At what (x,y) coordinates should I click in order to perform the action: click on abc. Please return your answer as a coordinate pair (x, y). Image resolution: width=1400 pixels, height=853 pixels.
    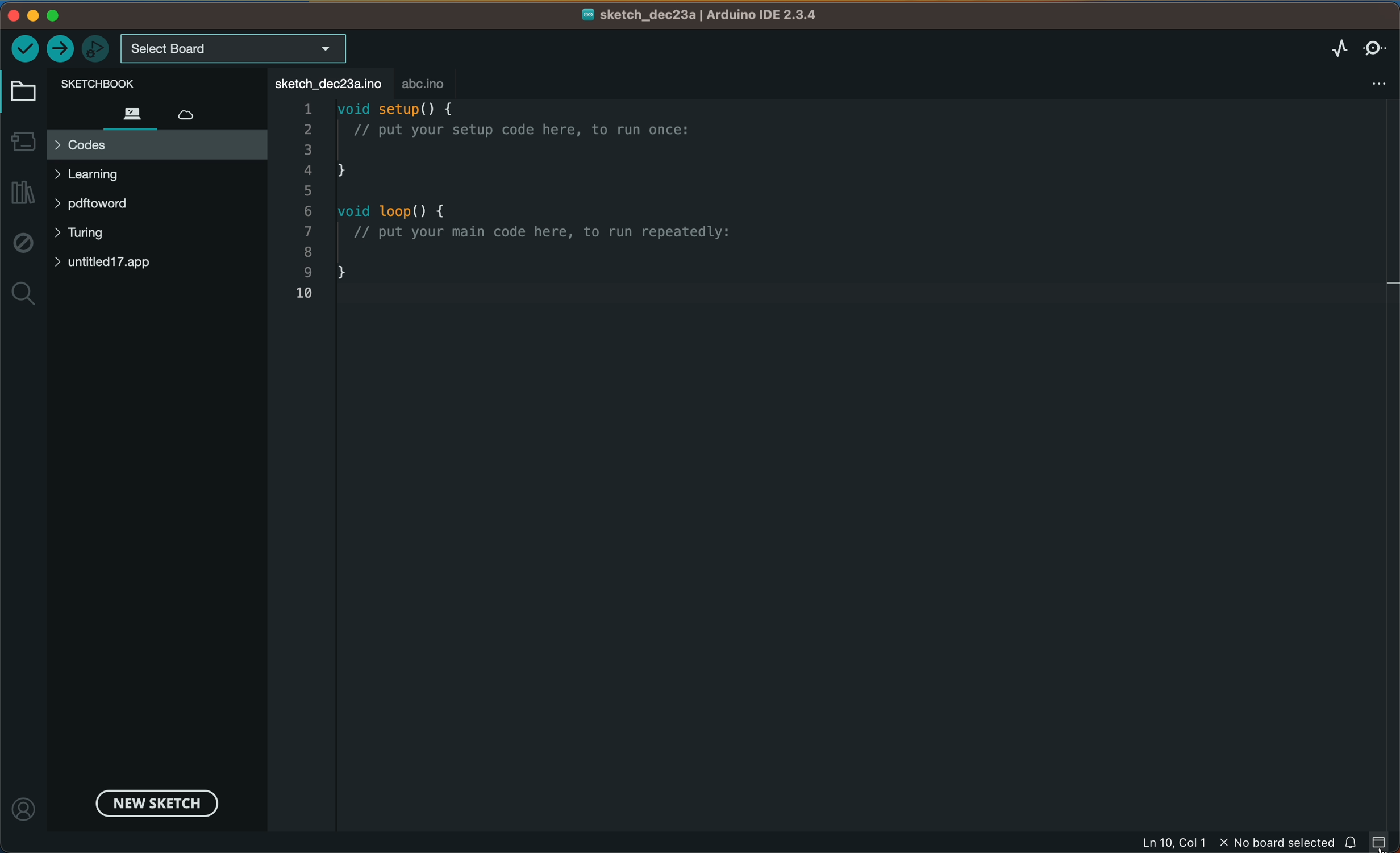
    Looking at the image, I should click on (426, 84).